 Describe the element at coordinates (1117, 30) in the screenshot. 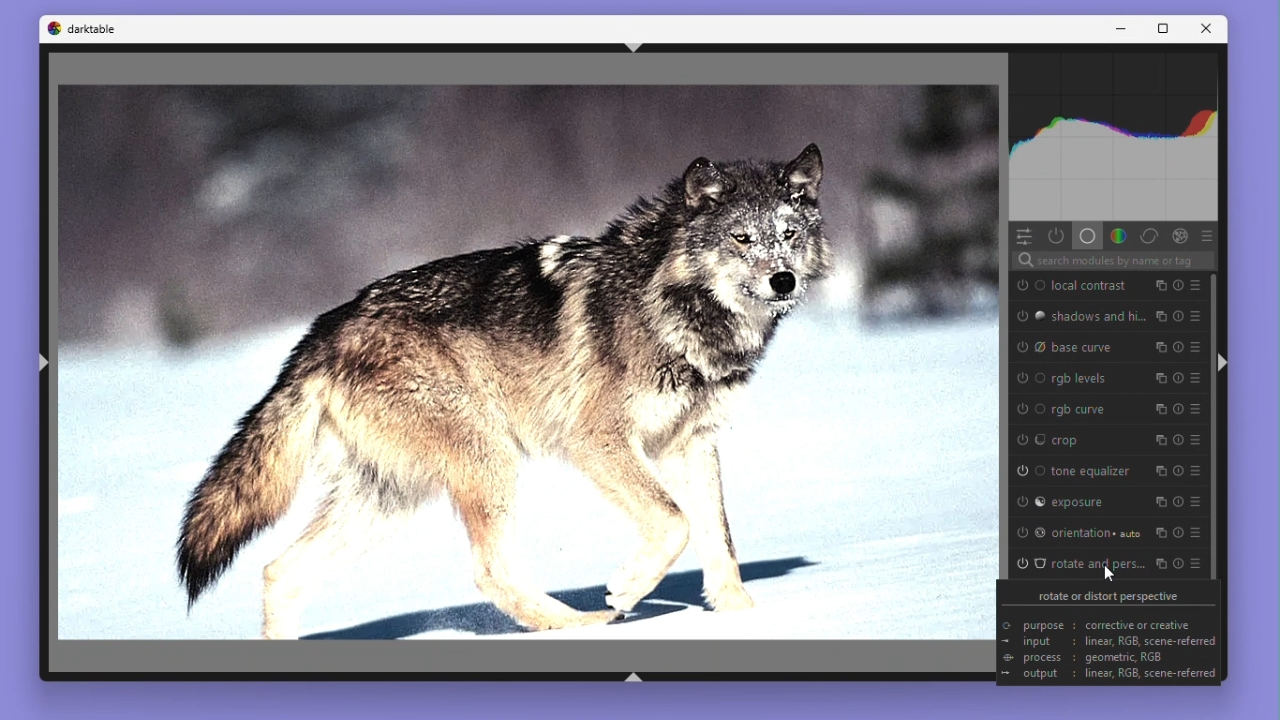

I see `Minimise` at that location.